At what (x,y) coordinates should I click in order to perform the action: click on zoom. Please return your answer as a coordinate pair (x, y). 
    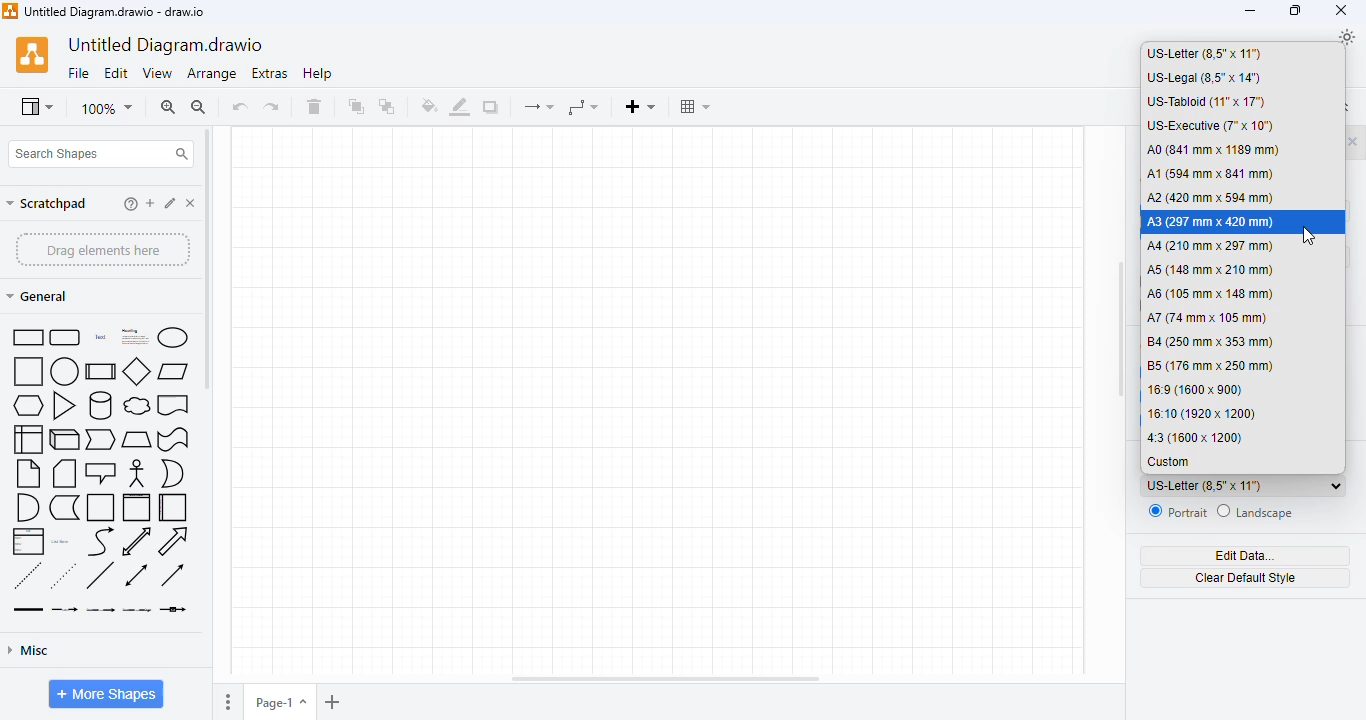
    Looking at the image, I should click on (107, 110).